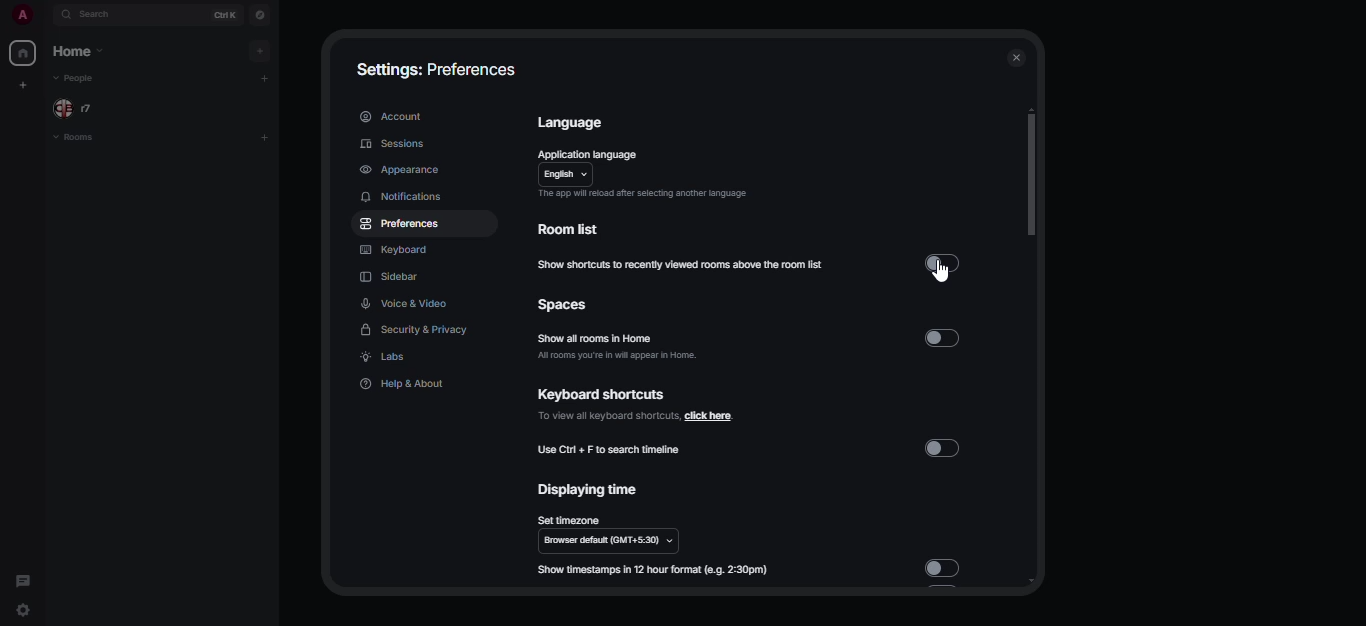 This screenshot has width=1366, height=626. I want to click on expand, so click(46, 15).